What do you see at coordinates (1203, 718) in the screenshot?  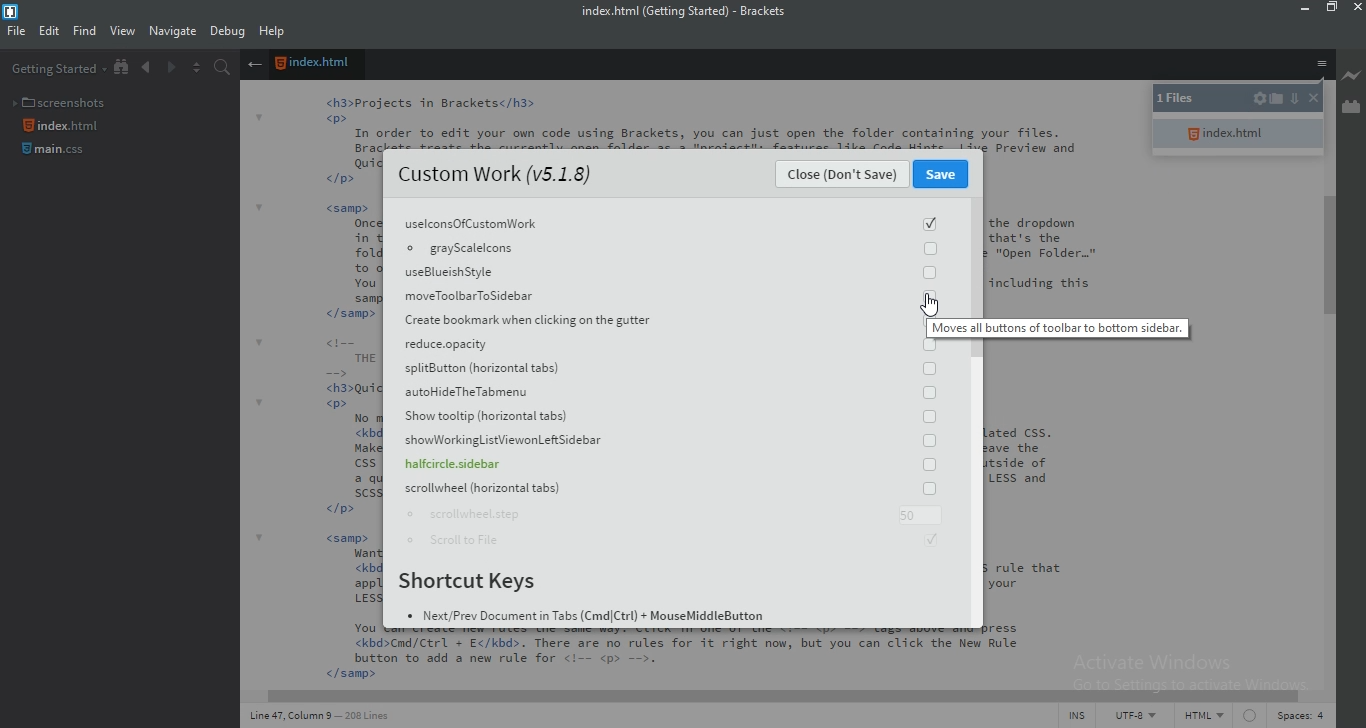 I see `HTML` at bounding box center [1203, 718].